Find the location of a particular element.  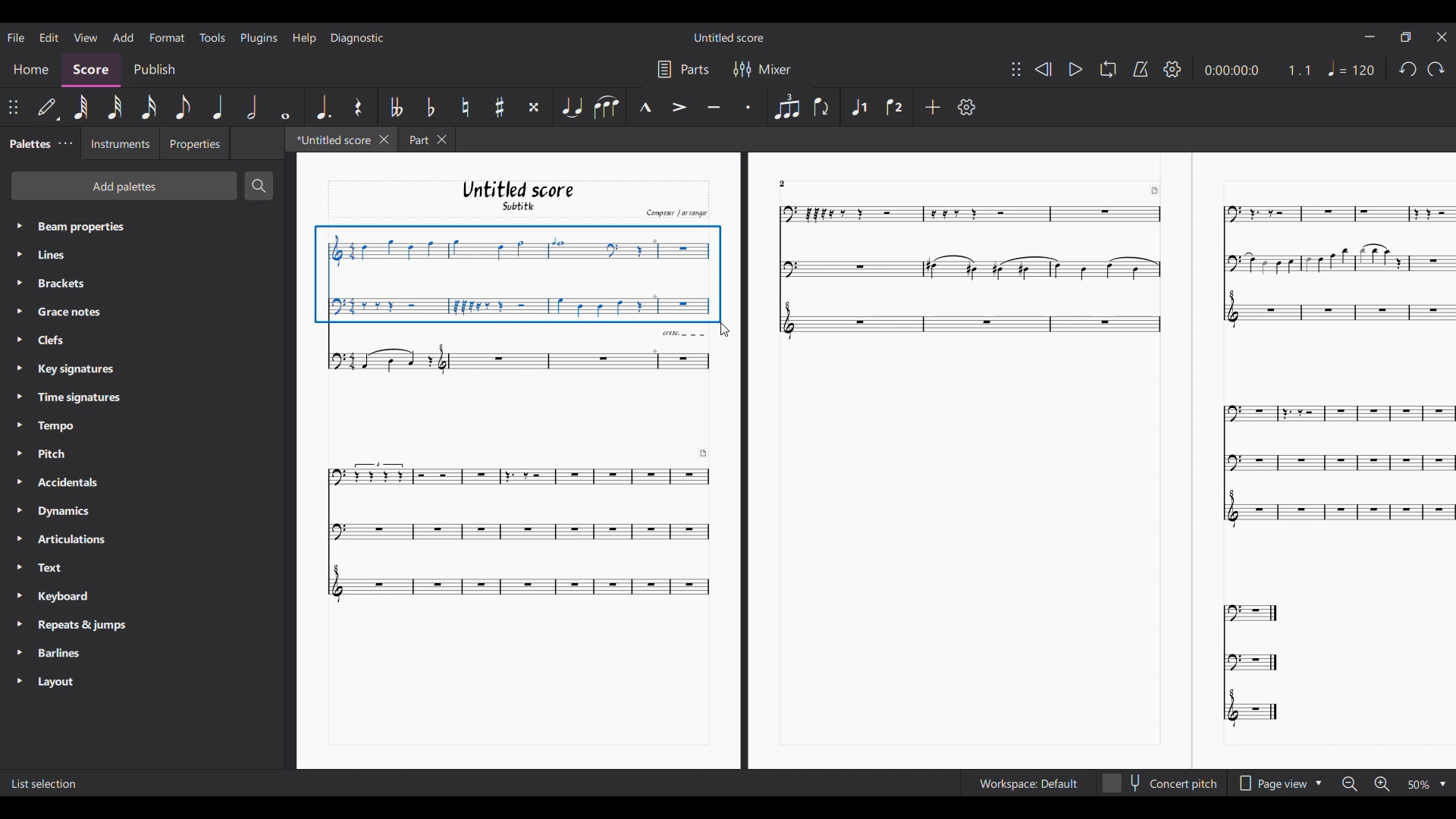

Publish is located at coordinates (153, 69).